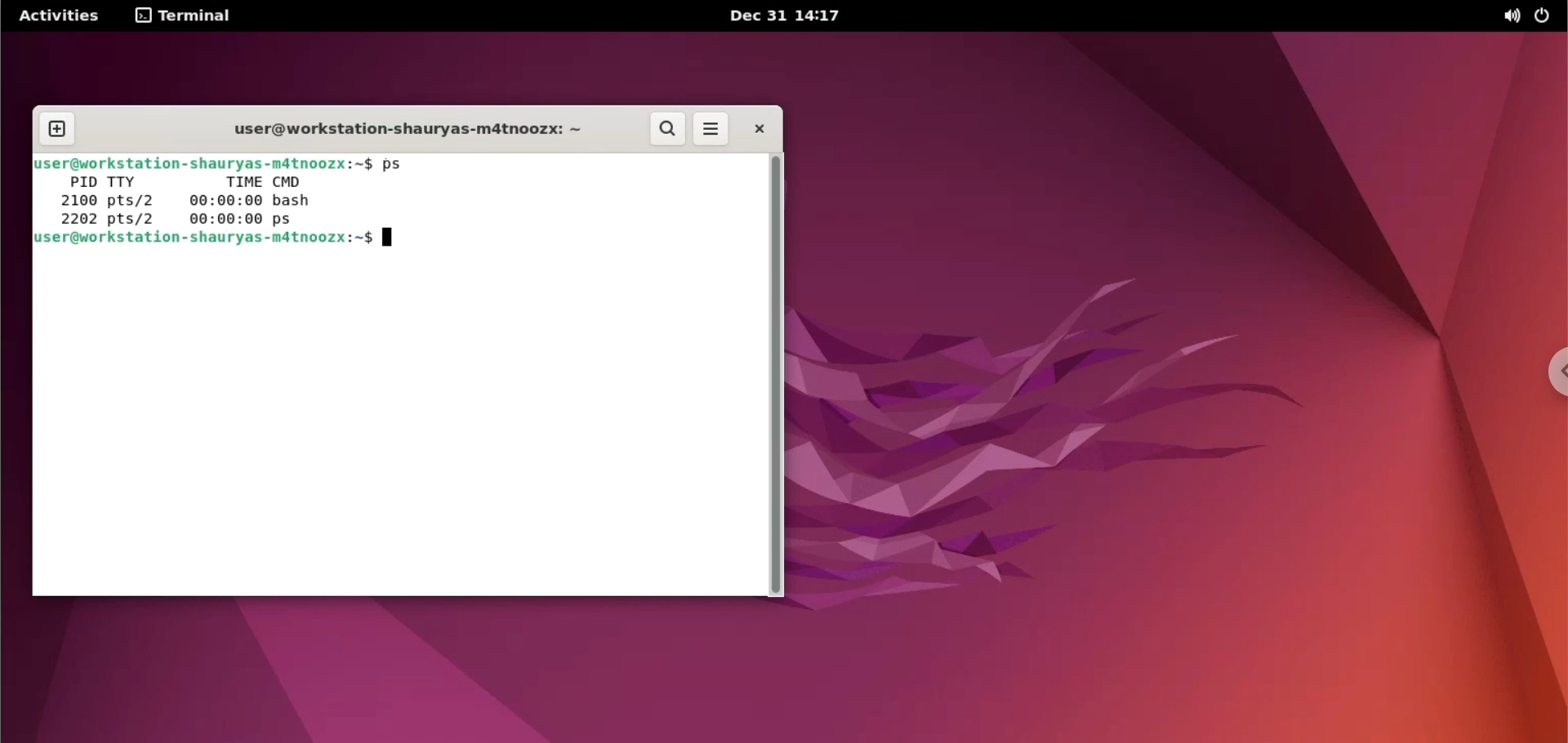 The height and width of the screenshot is (743, 1568). Describe the element at coordinates (61, 125) in the screenshot. I see `new tab` at that location.